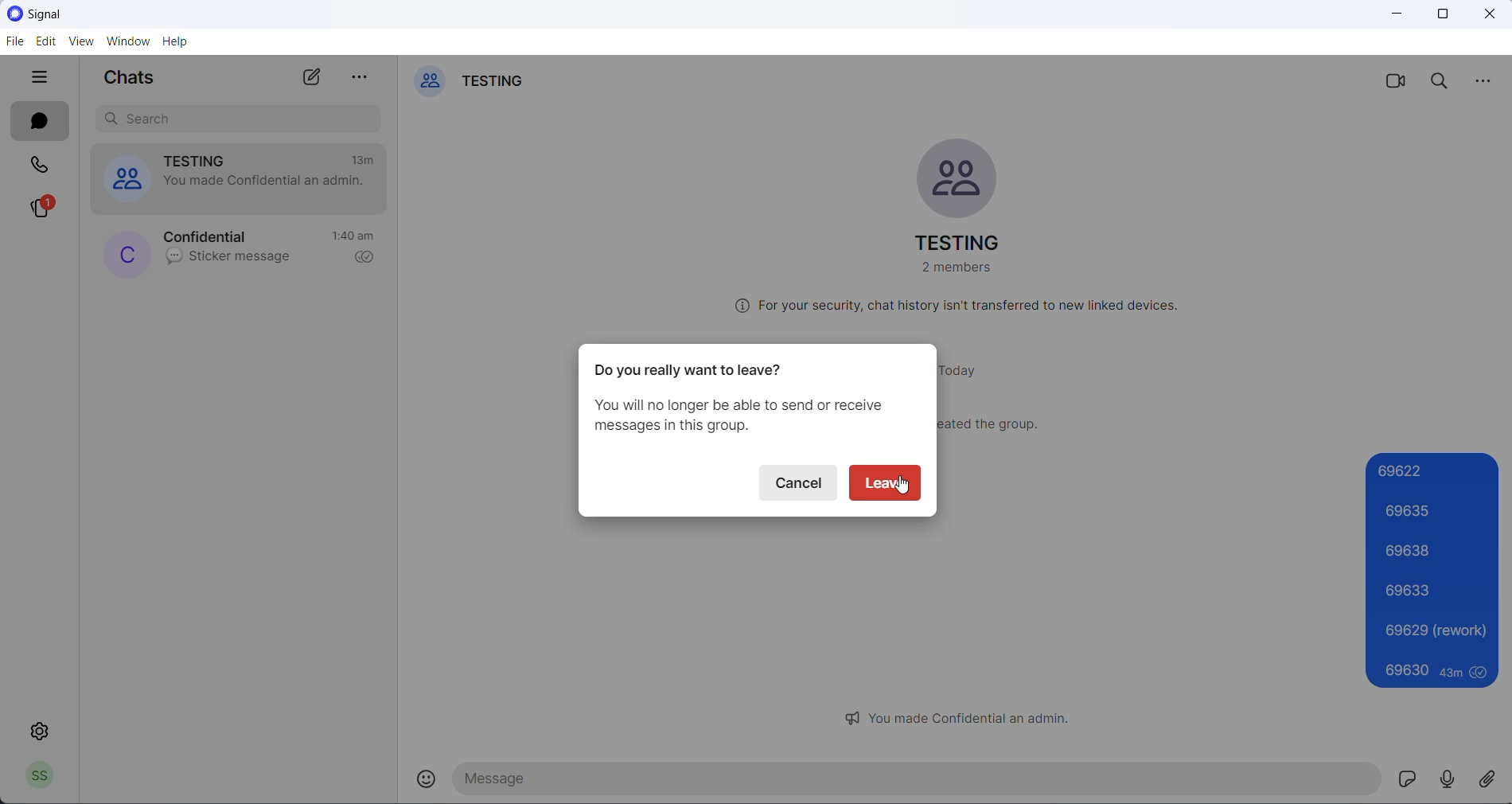 Image resolution: width=1512 pixels, height=804 pixels. I want to click on total group members, so click(955, 271).